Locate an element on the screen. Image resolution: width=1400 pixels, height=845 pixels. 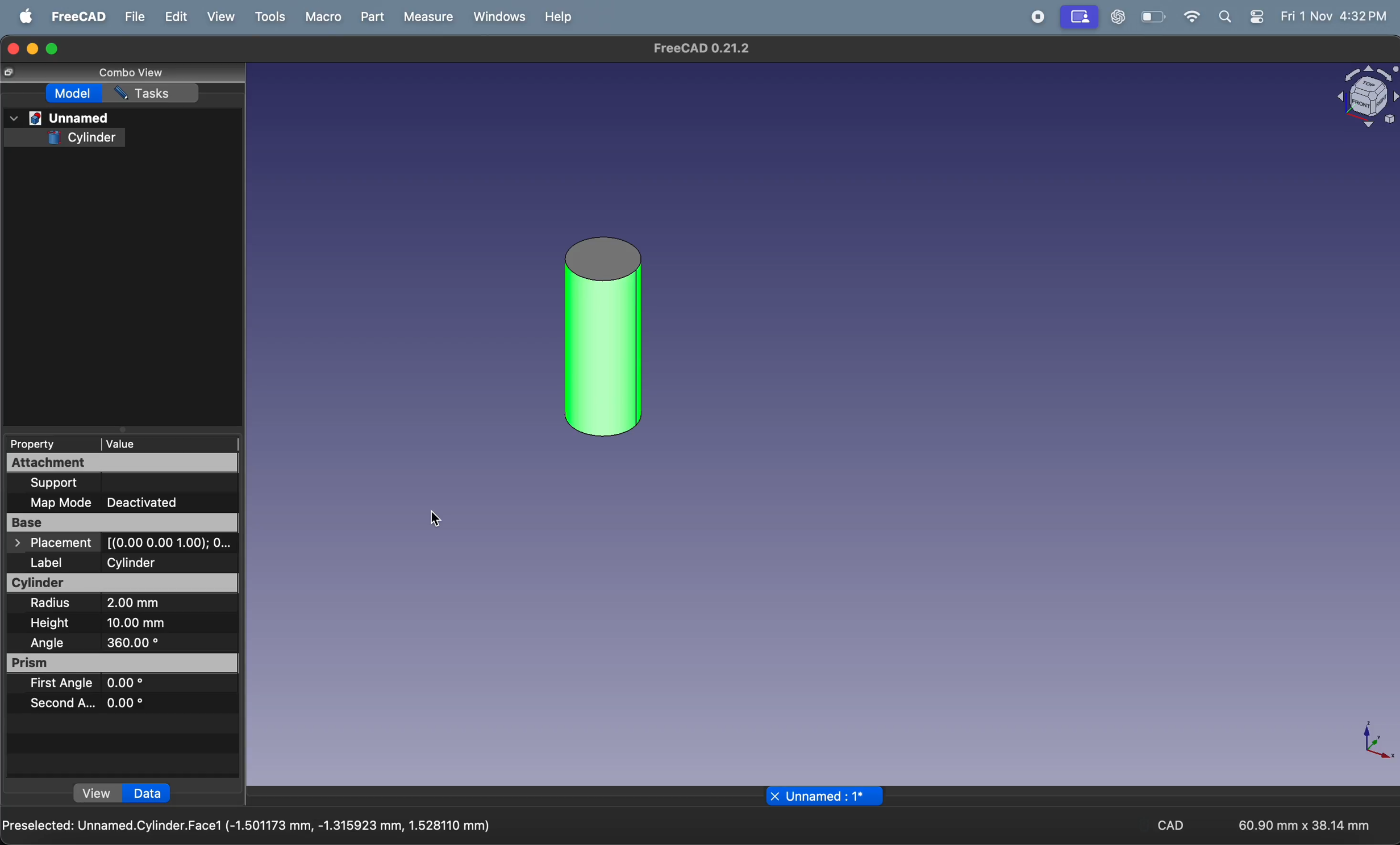
object view is located at coordinates (1367, 97).